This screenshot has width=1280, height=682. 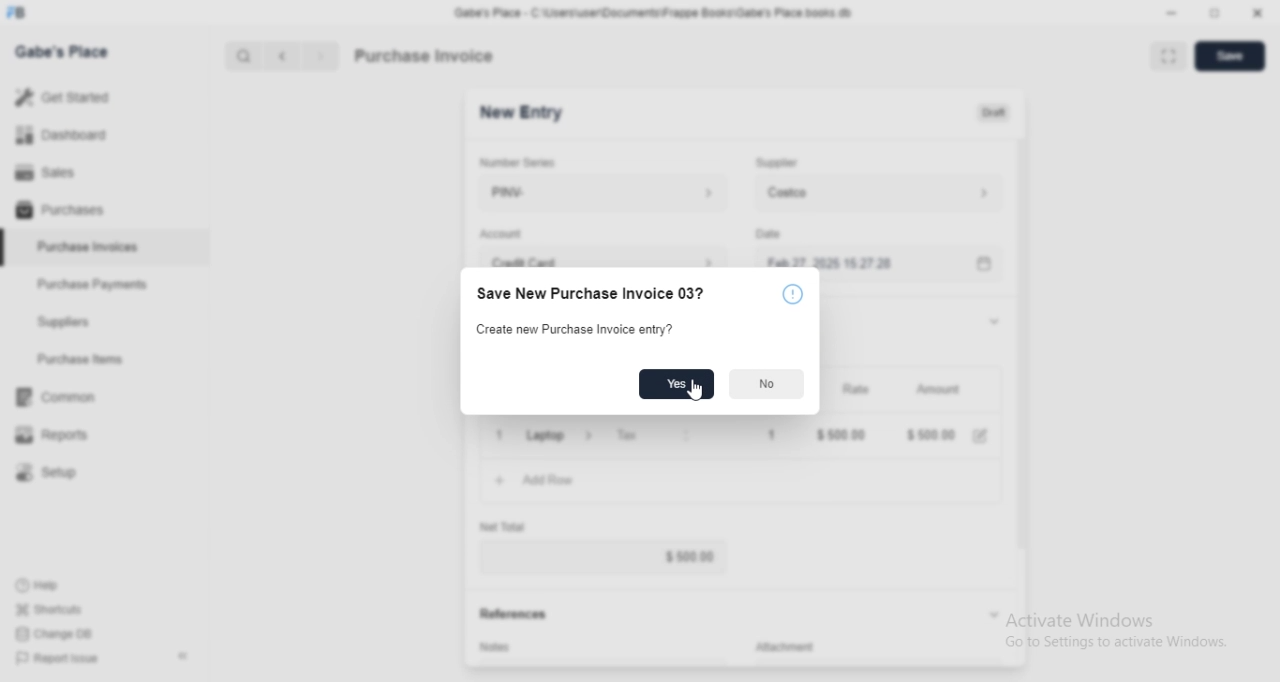 What do you see at coordinates (930, 435) in the screenshot?
I see `$ 500.00` at bounding box center [930, 435].